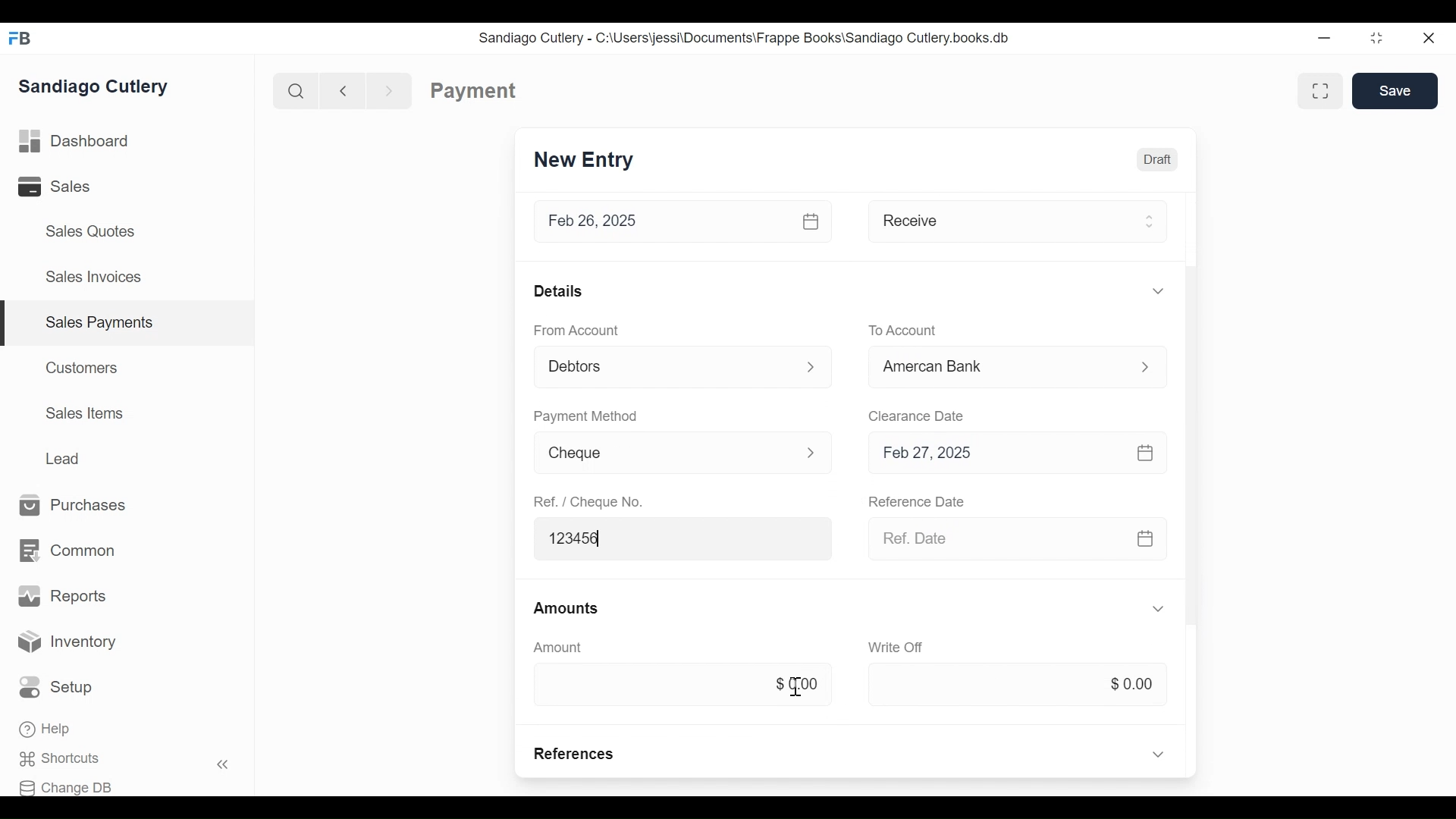 Image resolution: width=1456 pixels, height=819 pixels. I want to click on $0.00, so click(1017, 685).